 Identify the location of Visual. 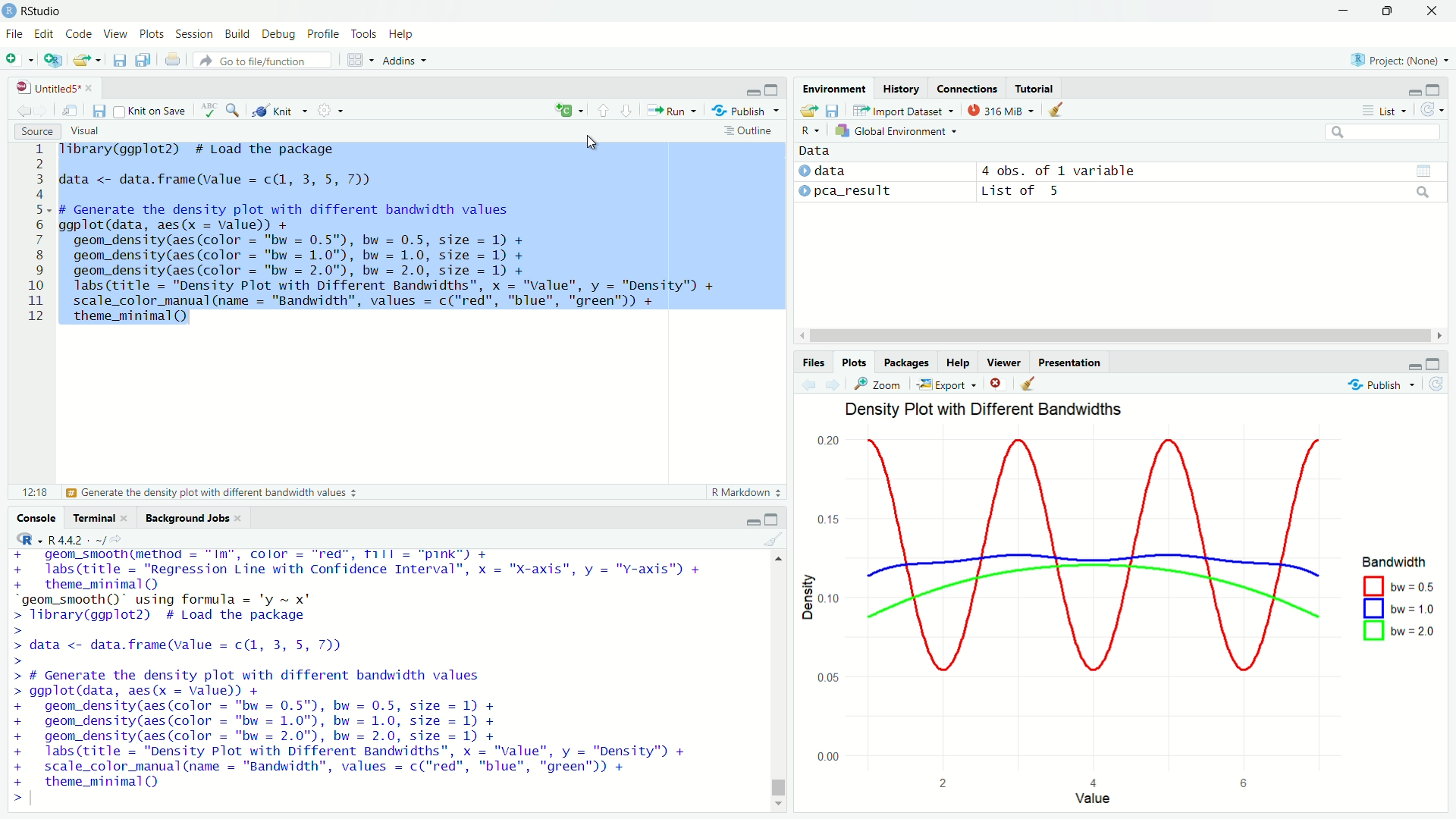
(84, 131).